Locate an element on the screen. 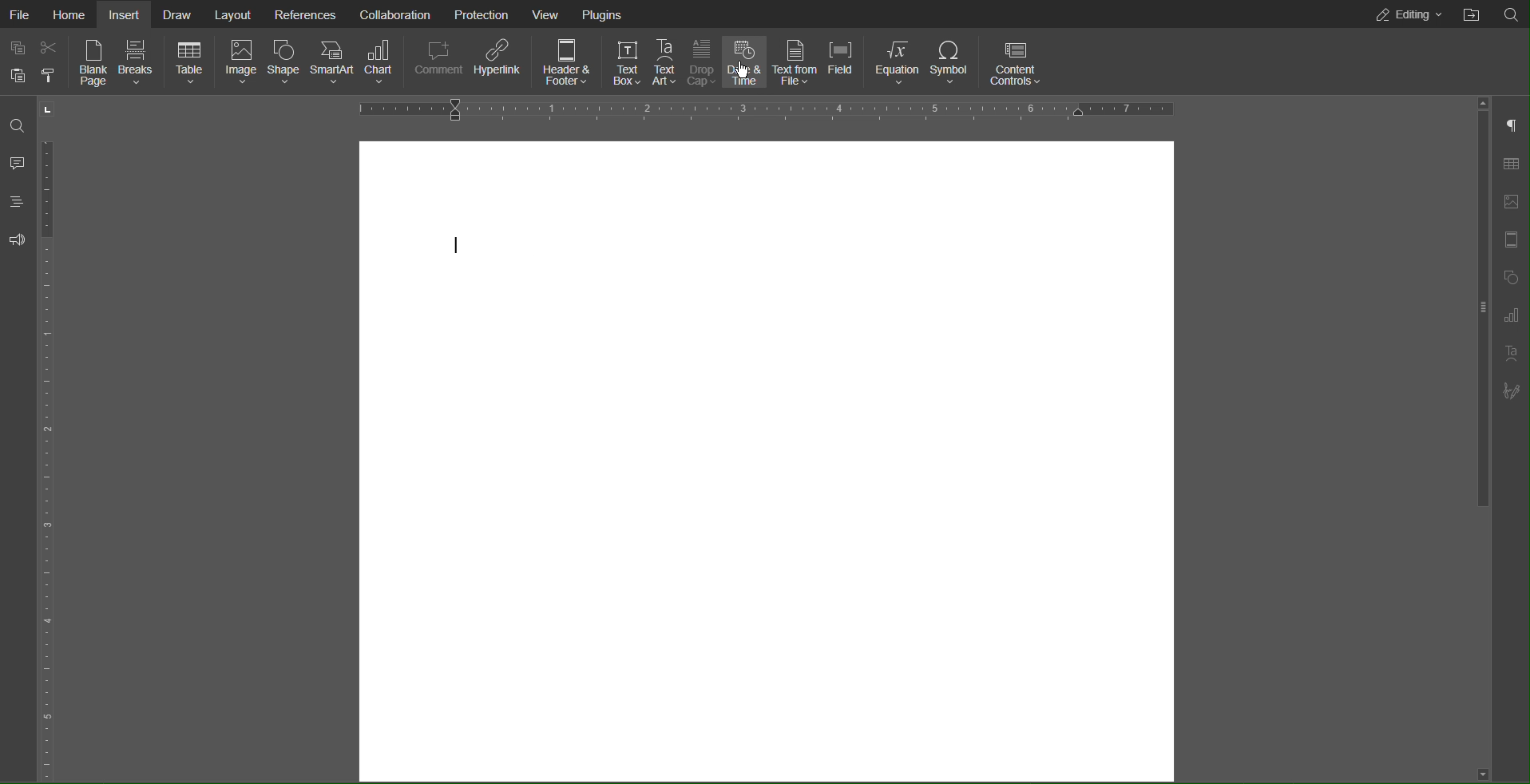 The height and width of the screenshot is (784, 1530). Paragraph Settings is located at coordinates (1511, 127).